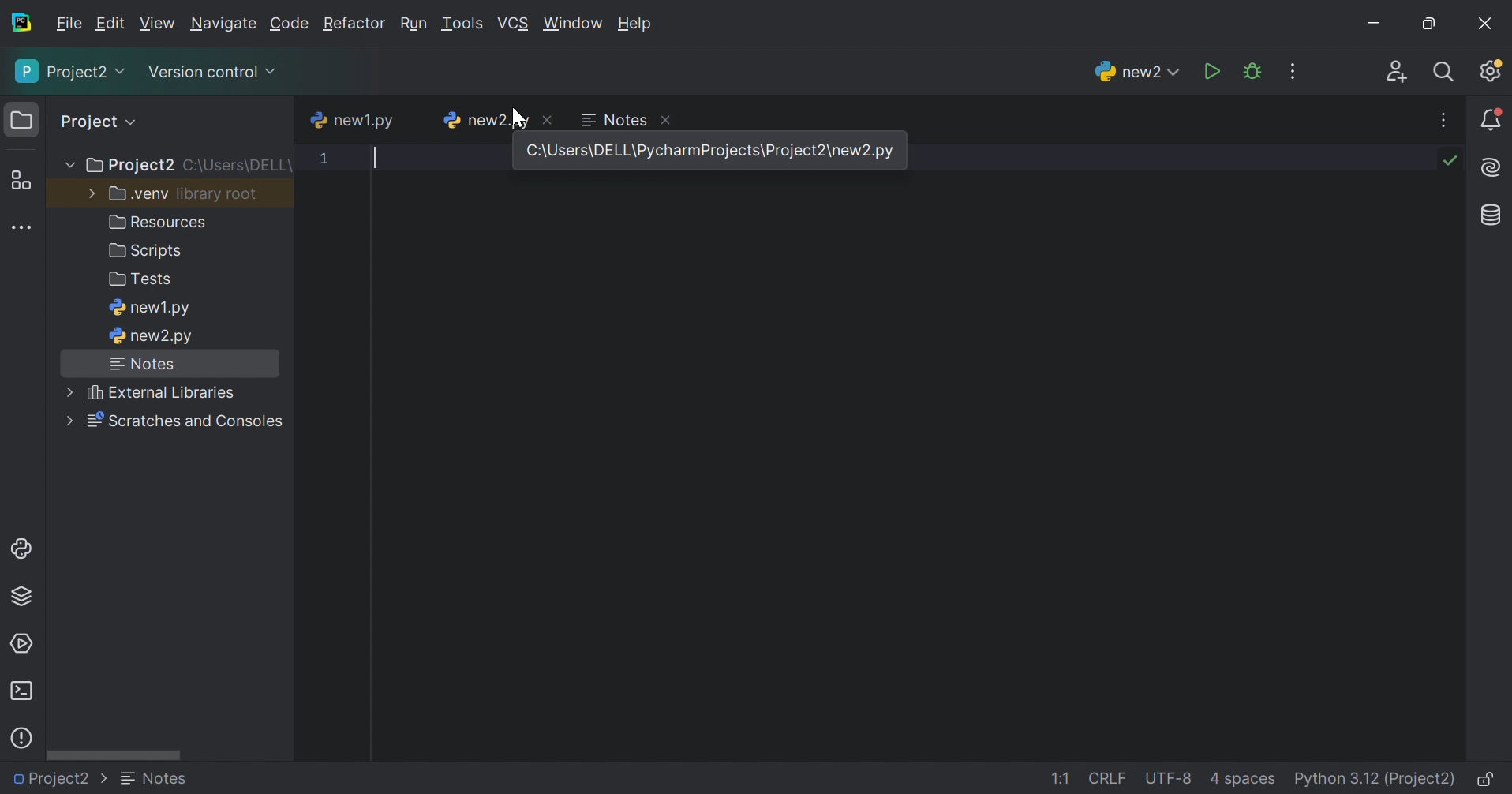 The image size is (1512, 794). What do you see at coordinates (23, 642) in the screenshot?
I see `Services` at bounding box center [23, 642].